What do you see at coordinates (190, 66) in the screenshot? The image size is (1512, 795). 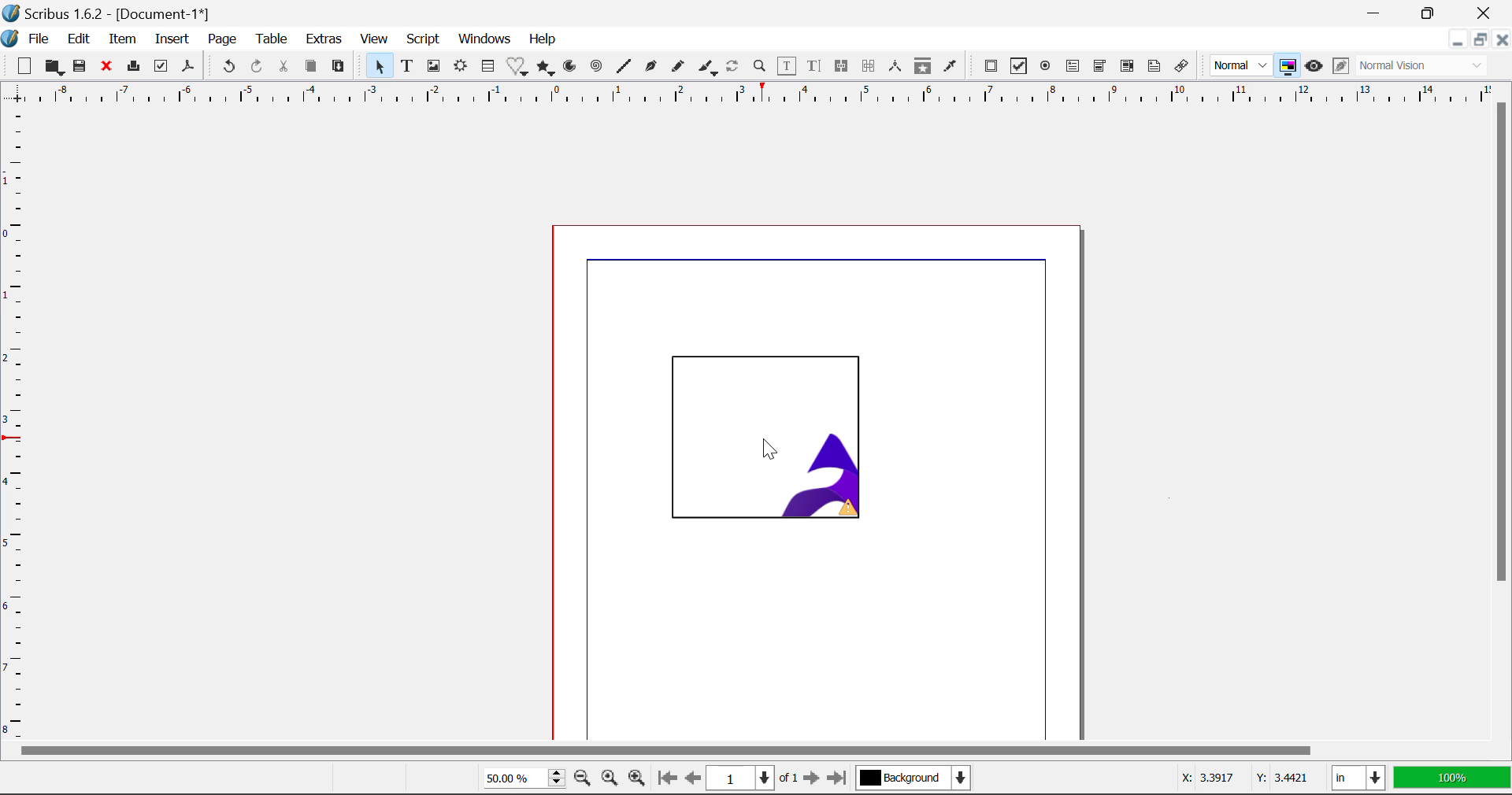 I see `Save as Pdf` at bounding box center [190, 66].